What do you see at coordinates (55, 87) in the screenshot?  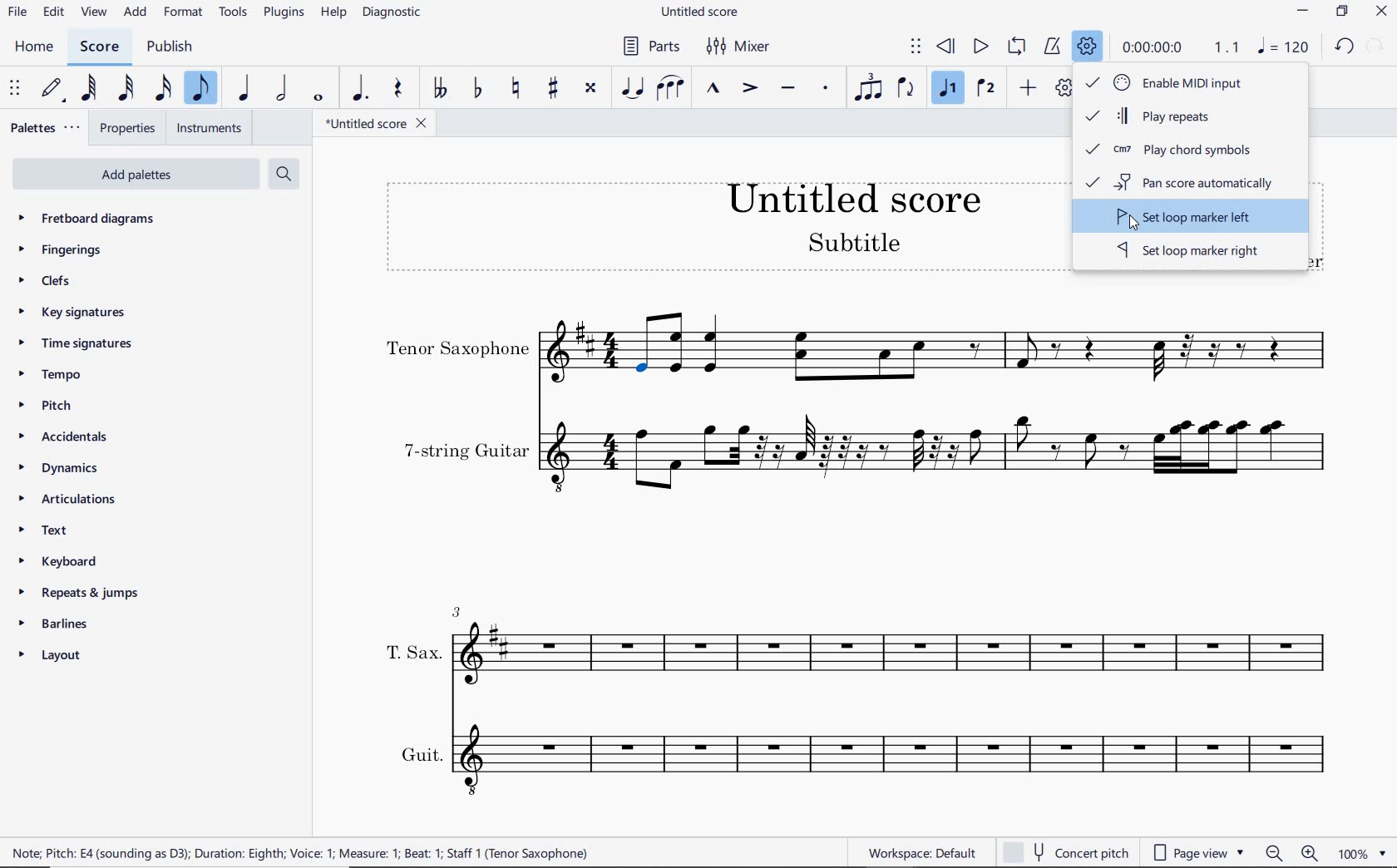 I see `DEFAULT (STEP TIME)` at bounding box center [55, 87].